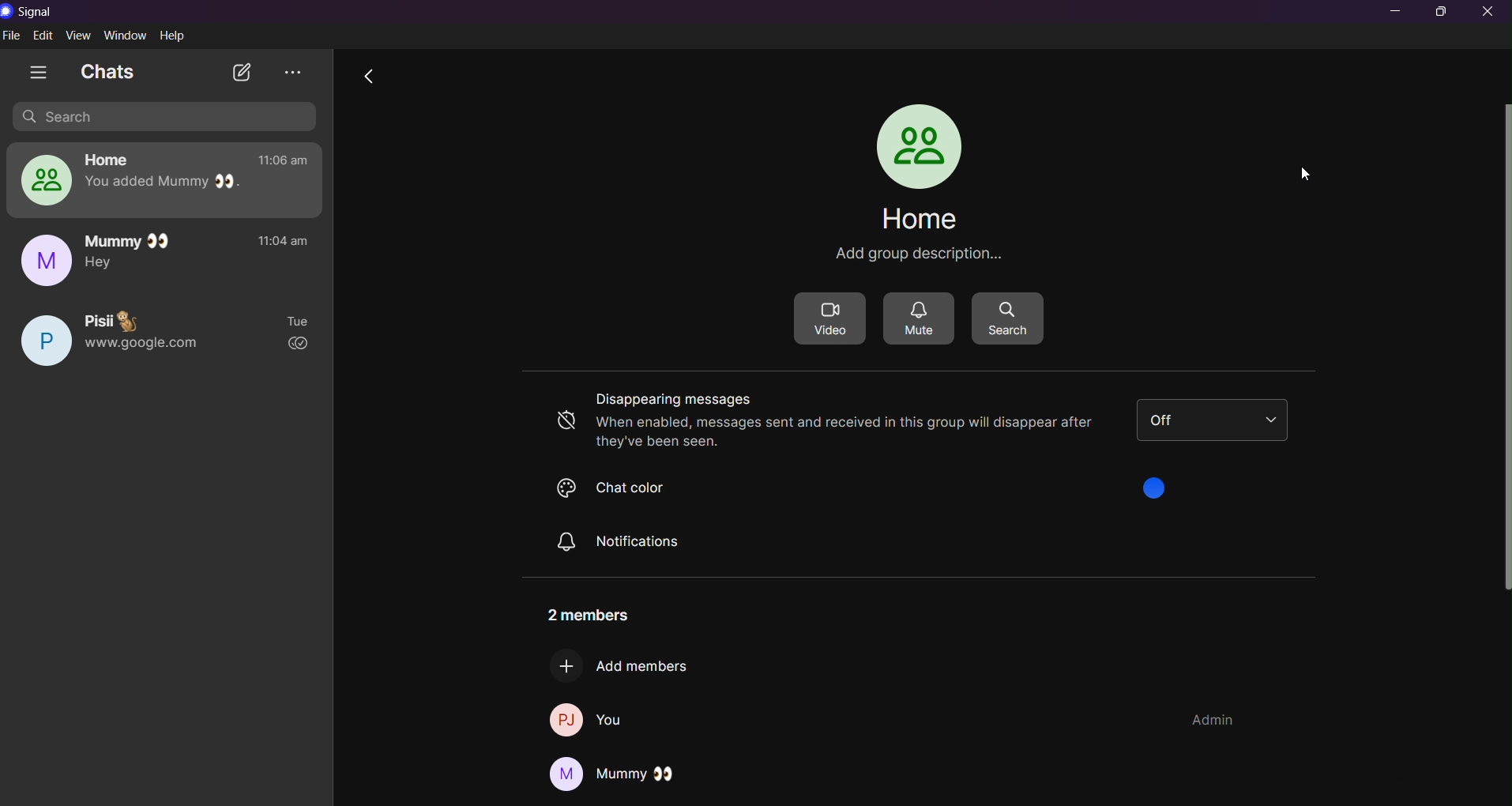 This screenshot has width=1512, height=806. What do you see at coordinates (1311, 171) in the screenshot?
I see `cursor` at bounding box center [1311, 171].